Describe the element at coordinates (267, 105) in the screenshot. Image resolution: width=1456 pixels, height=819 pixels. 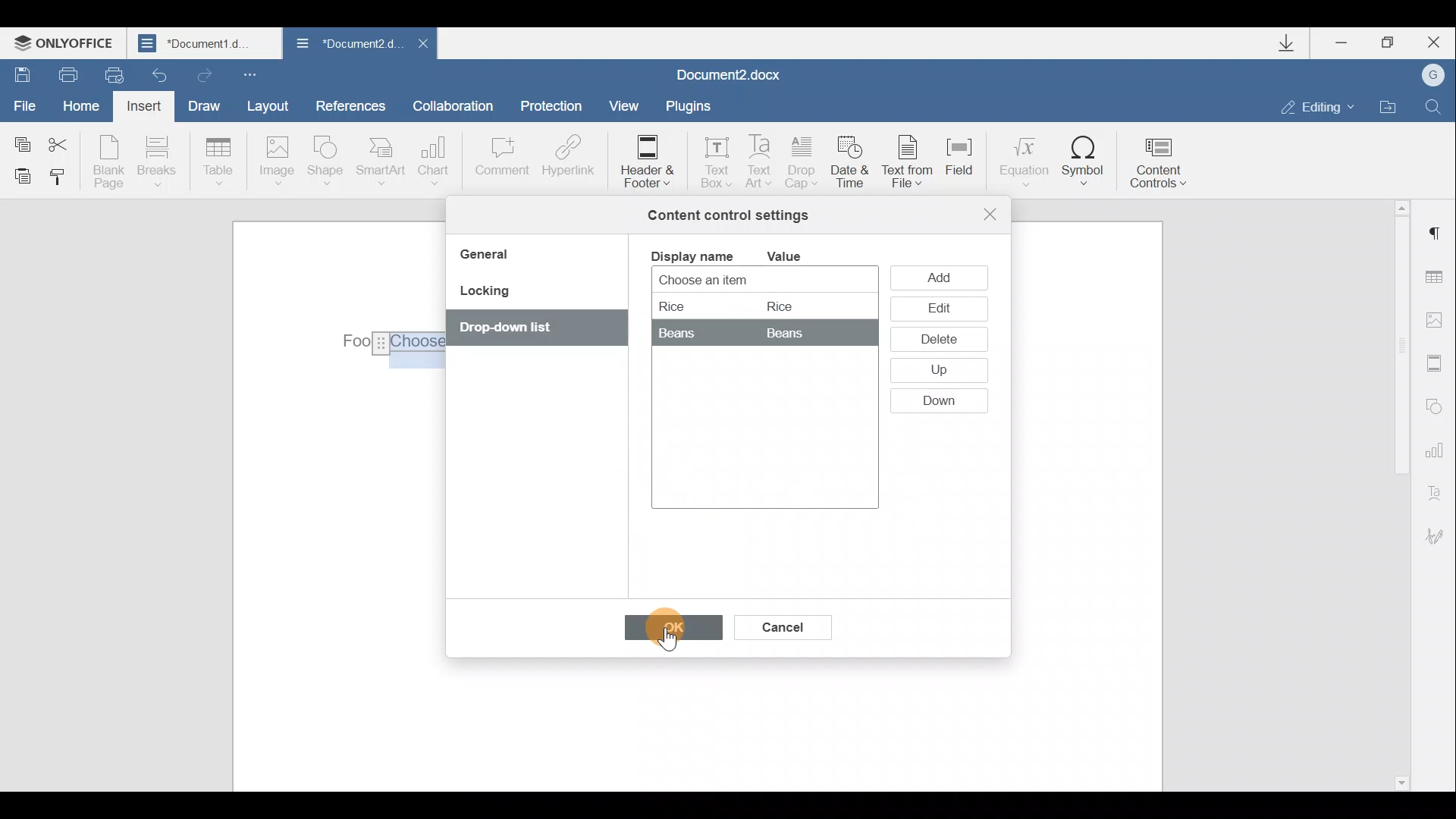
I see `Layout` at that location.